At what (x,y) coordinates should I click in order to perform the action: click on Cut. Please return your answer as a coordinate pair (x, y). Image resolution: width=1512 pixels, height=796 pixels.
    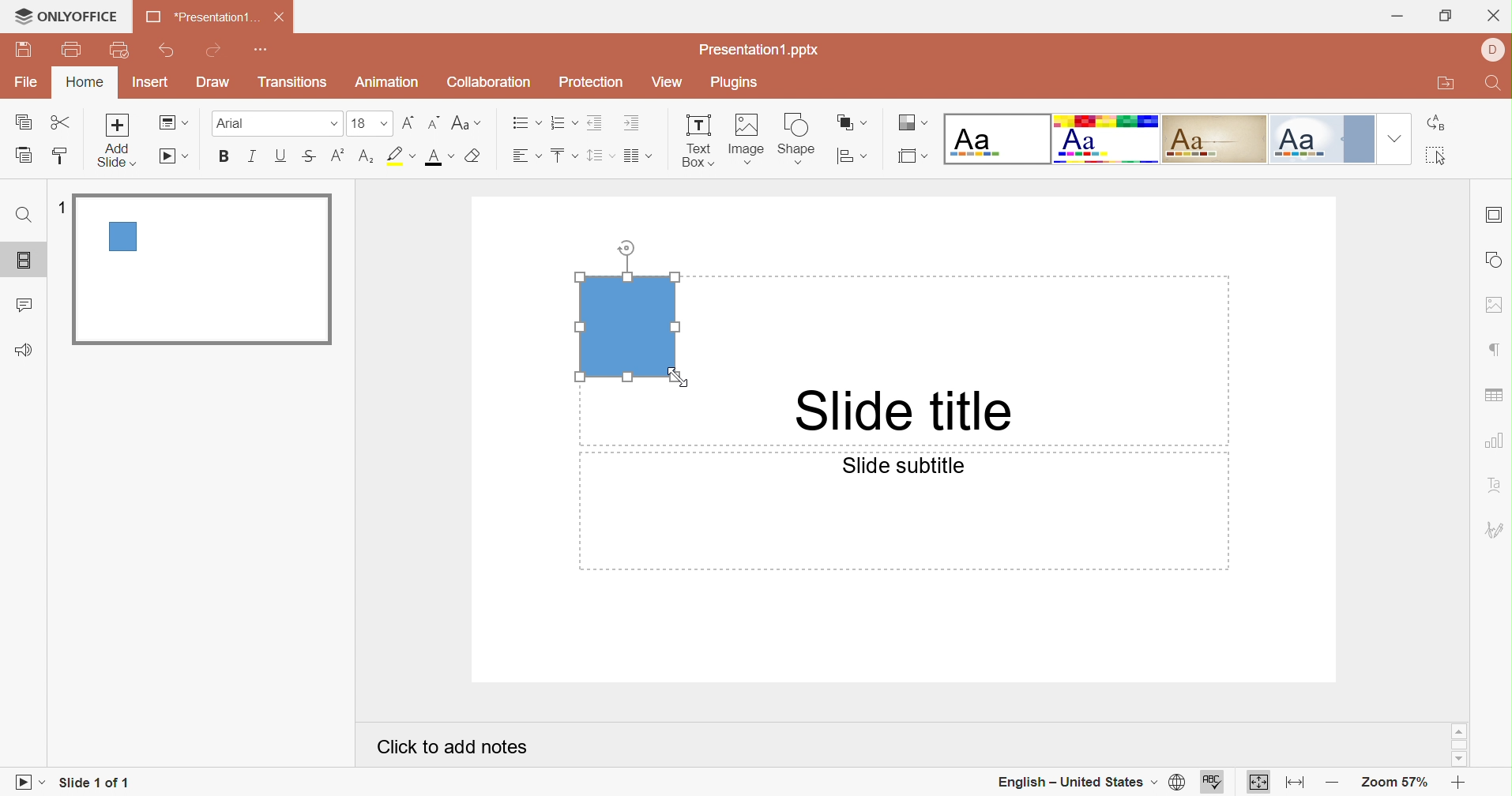
    Looking at the image, I should click on (63, 123).